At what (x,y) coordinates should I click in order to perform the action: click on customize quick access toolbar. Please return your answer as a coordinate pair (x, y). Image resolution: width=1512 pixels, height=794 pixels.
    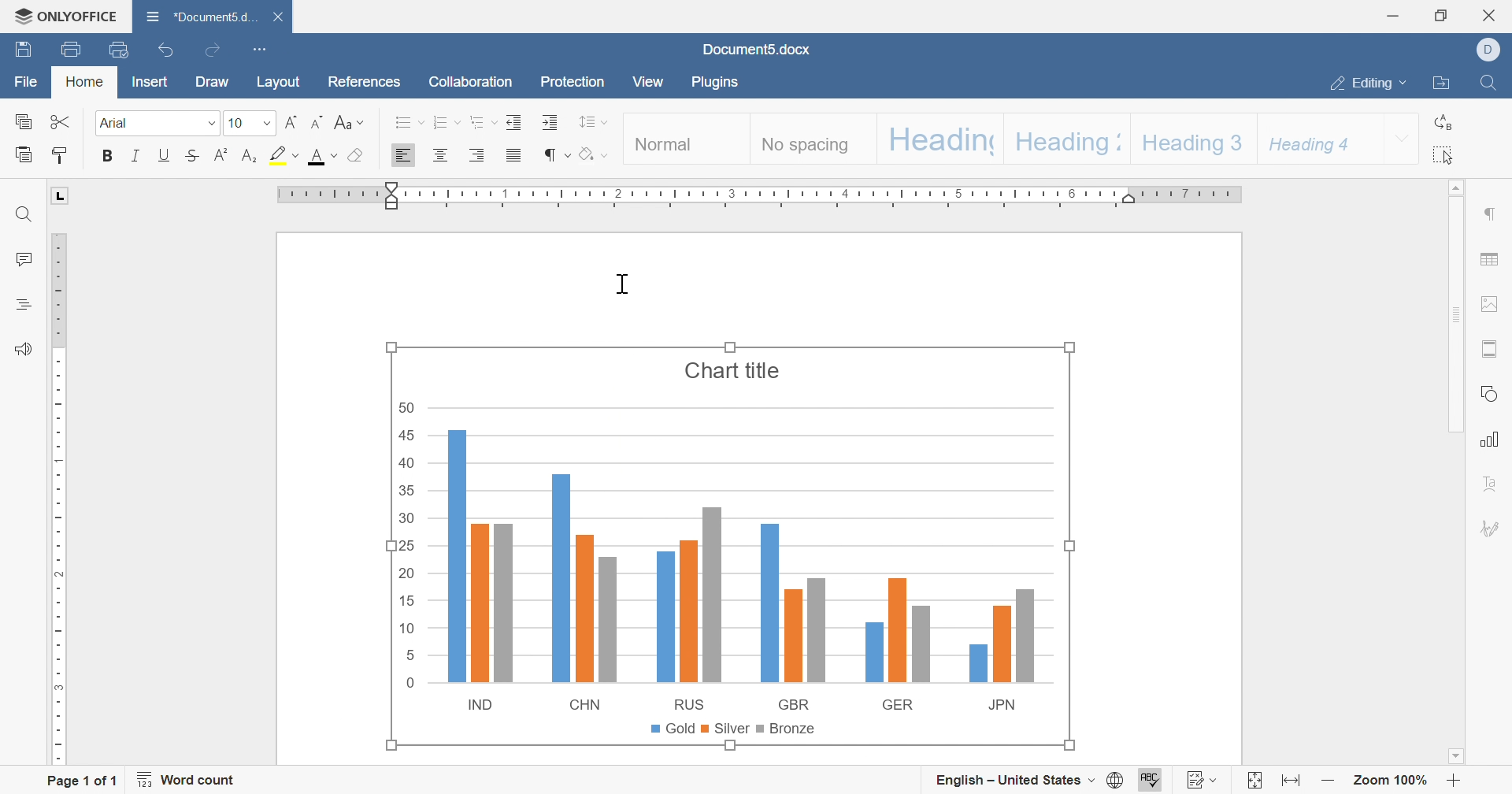
    Looking at the image, I should click on (263, 49).